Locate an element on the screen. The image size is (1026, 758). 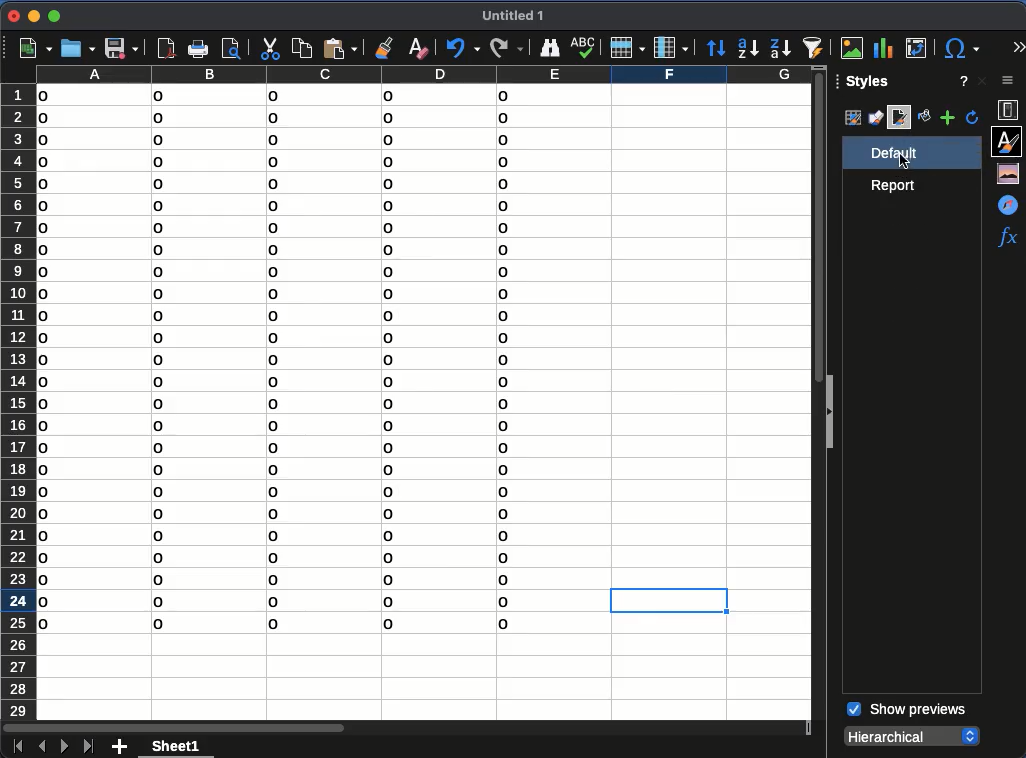
properties is located at coordinates (1009, 110).